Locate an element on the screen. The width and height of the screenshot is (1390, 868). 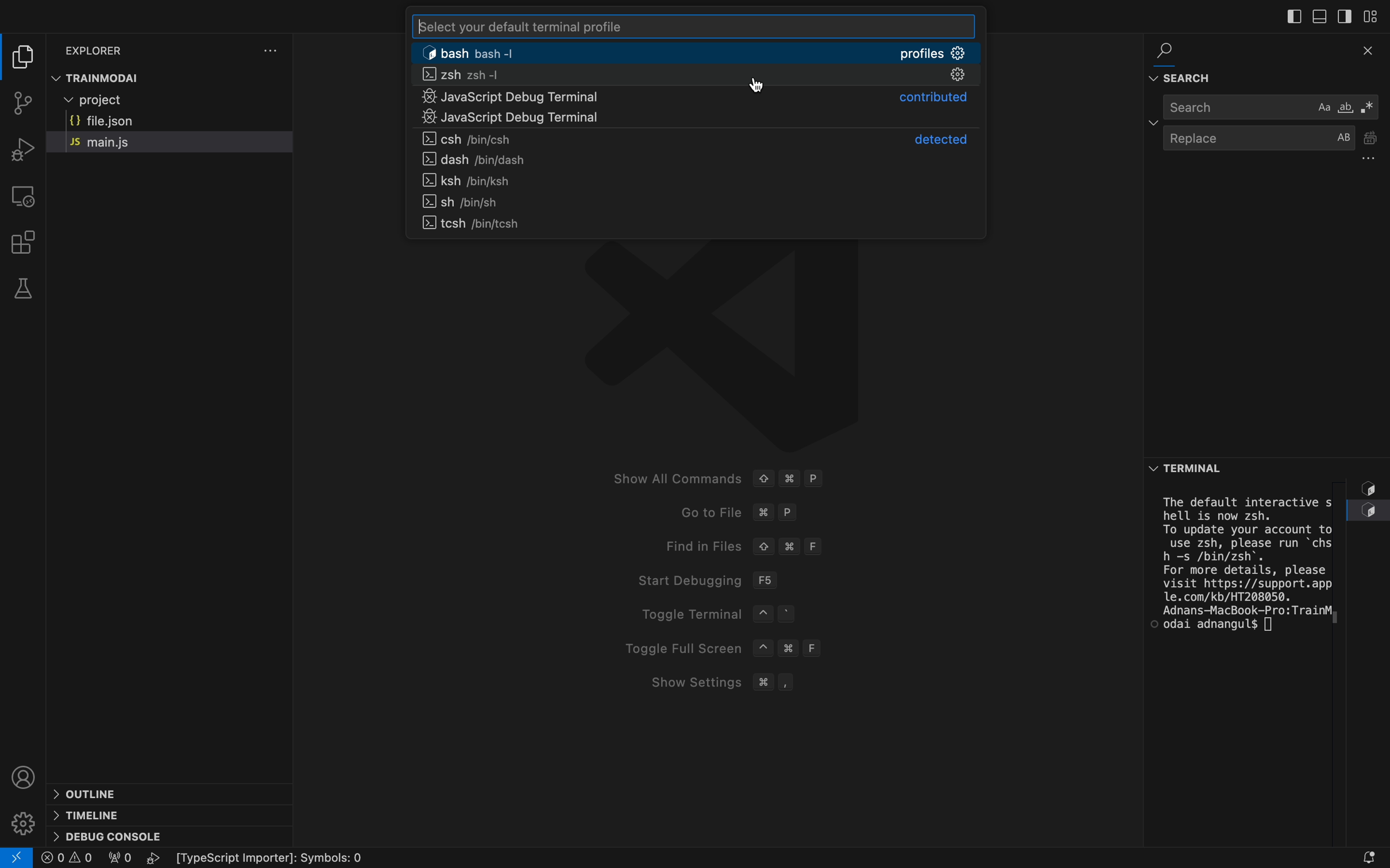
 is located at coordinates (1366, 510).